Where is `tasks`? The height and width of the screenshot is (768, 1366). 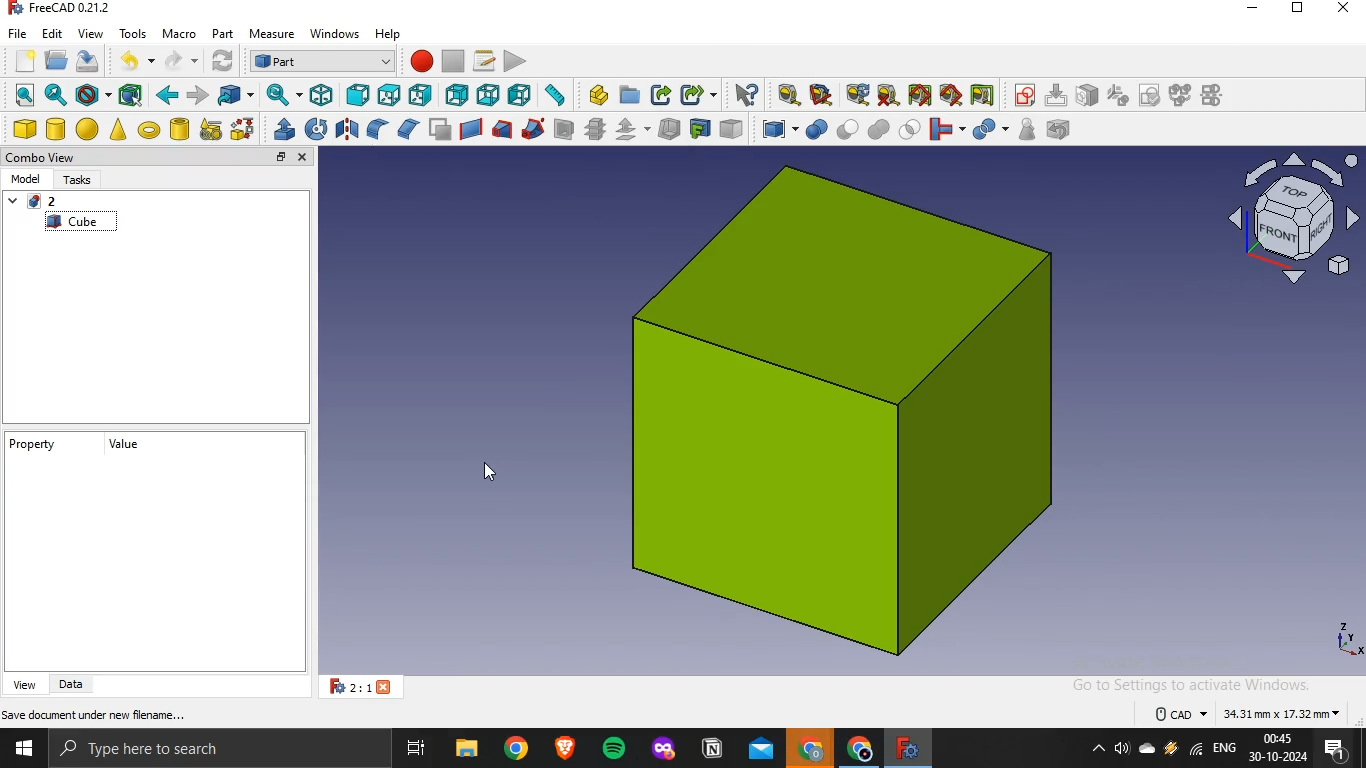 tasks is located at coordinates (85, 179).